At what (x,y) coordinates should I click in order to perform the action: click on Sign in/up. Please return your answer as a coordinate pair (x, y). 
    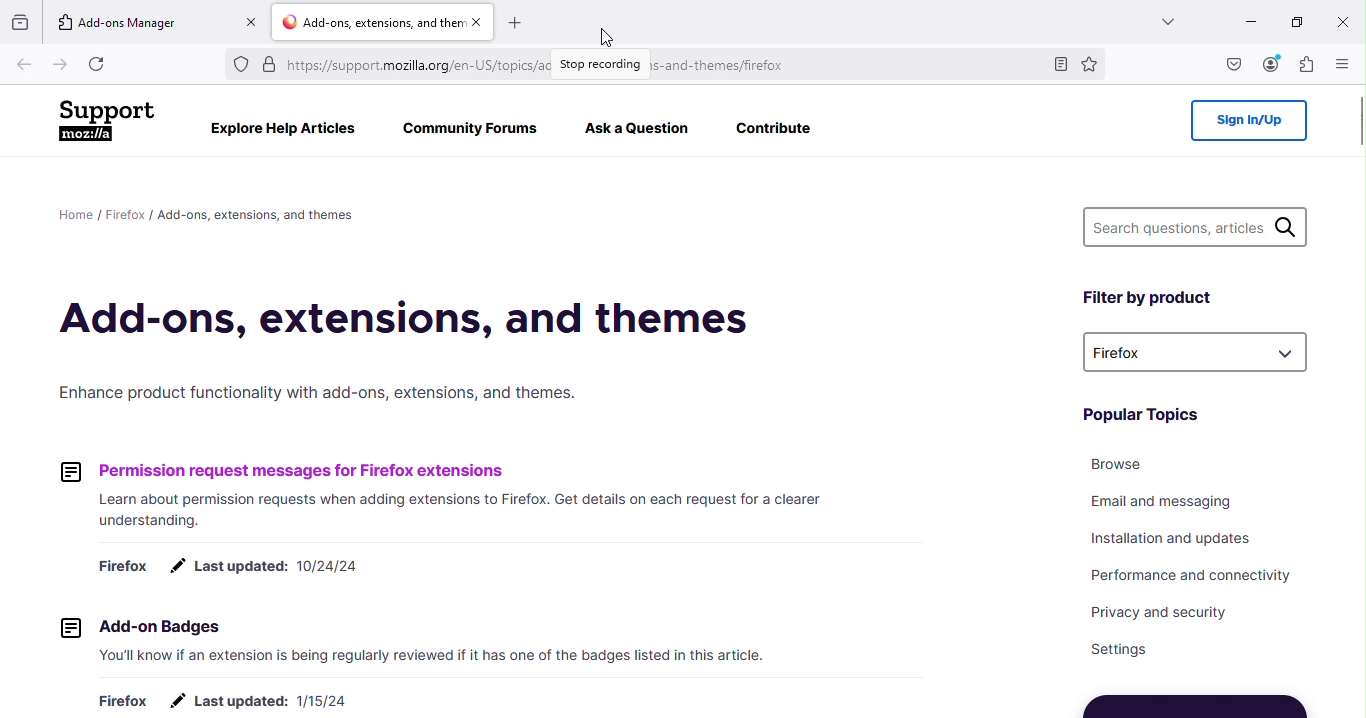
    Looking at the image, I should click on (1246, 121).